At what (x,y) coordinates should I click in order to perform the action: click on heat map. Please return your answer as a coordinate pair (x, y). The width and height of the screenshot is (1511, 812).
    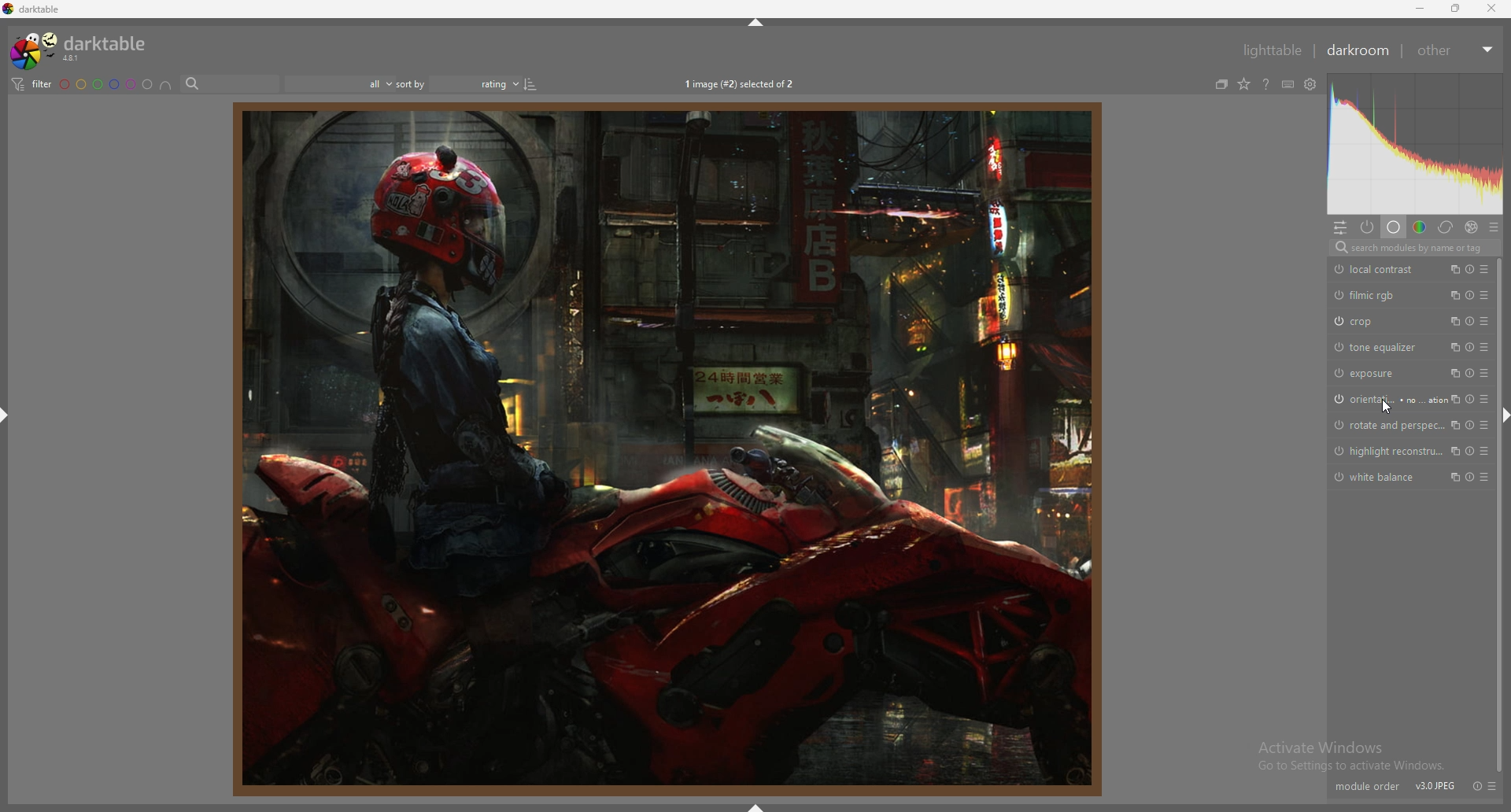
    Looking at the image, I should click on (1415, 145).